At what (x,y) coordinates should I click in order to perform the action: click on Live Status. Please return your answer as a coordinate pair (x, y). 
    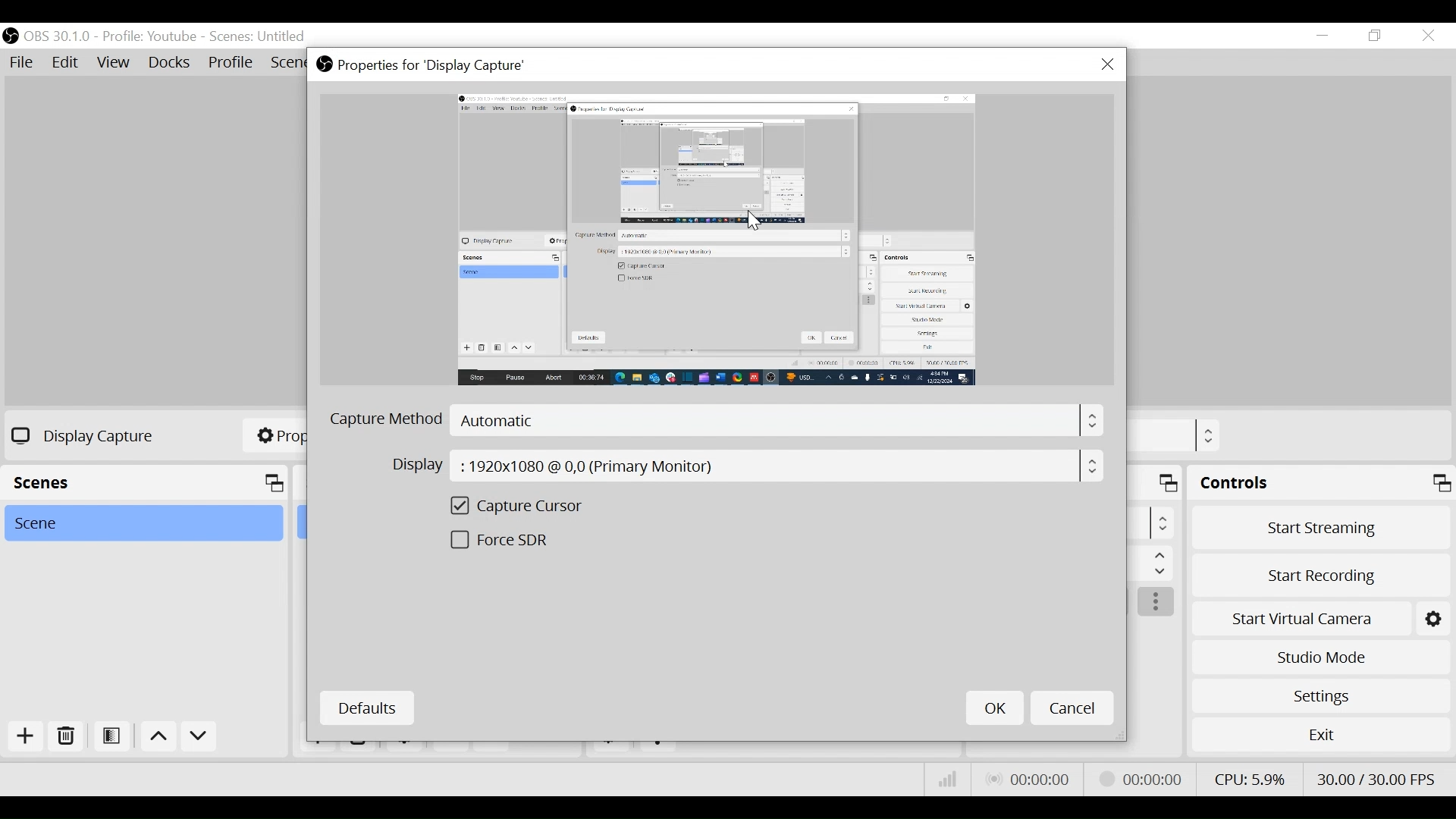
    Looking at the image, I should click on (1030, 779).